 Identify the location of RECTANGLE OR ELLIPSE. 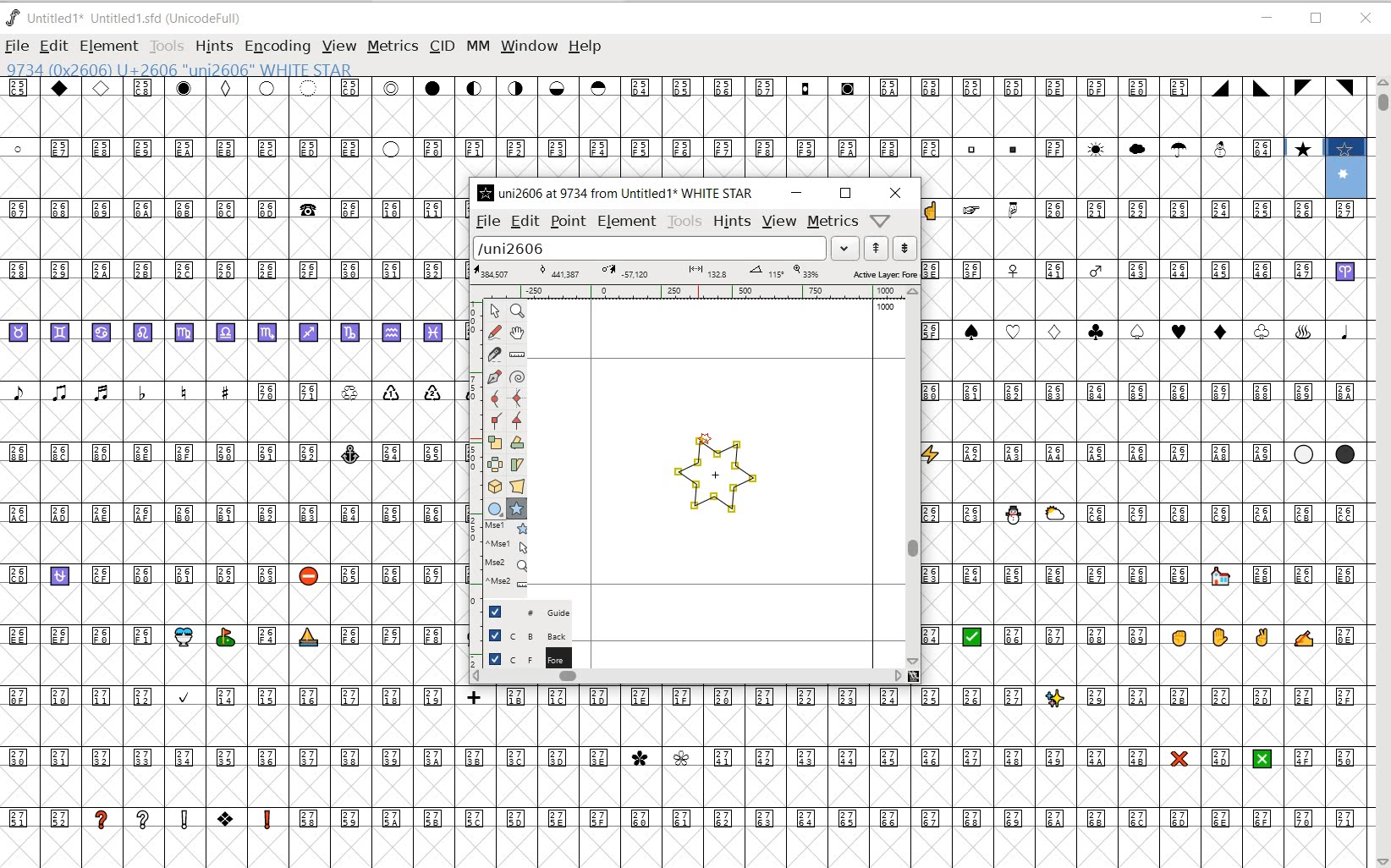
(497, 509).